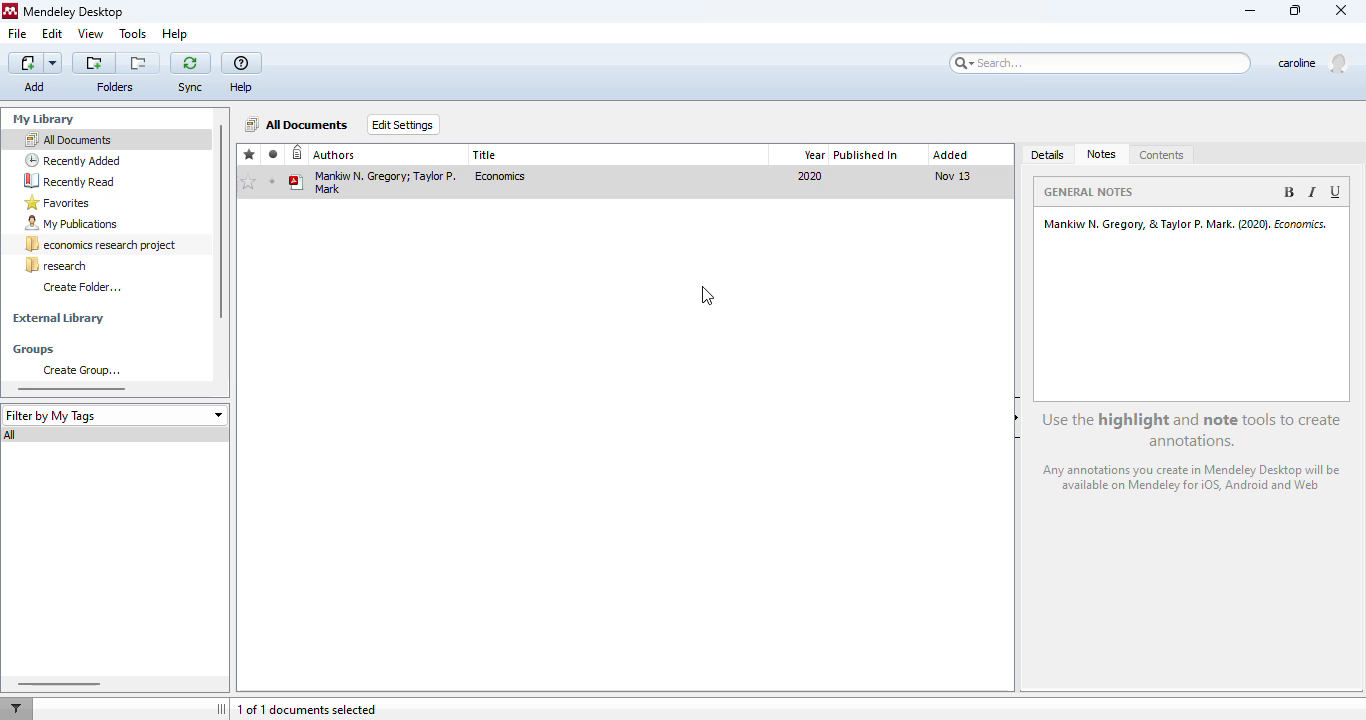 This screenshot has width=1366, height=720. I want to click on mendeley desktop, so click(75, 13).